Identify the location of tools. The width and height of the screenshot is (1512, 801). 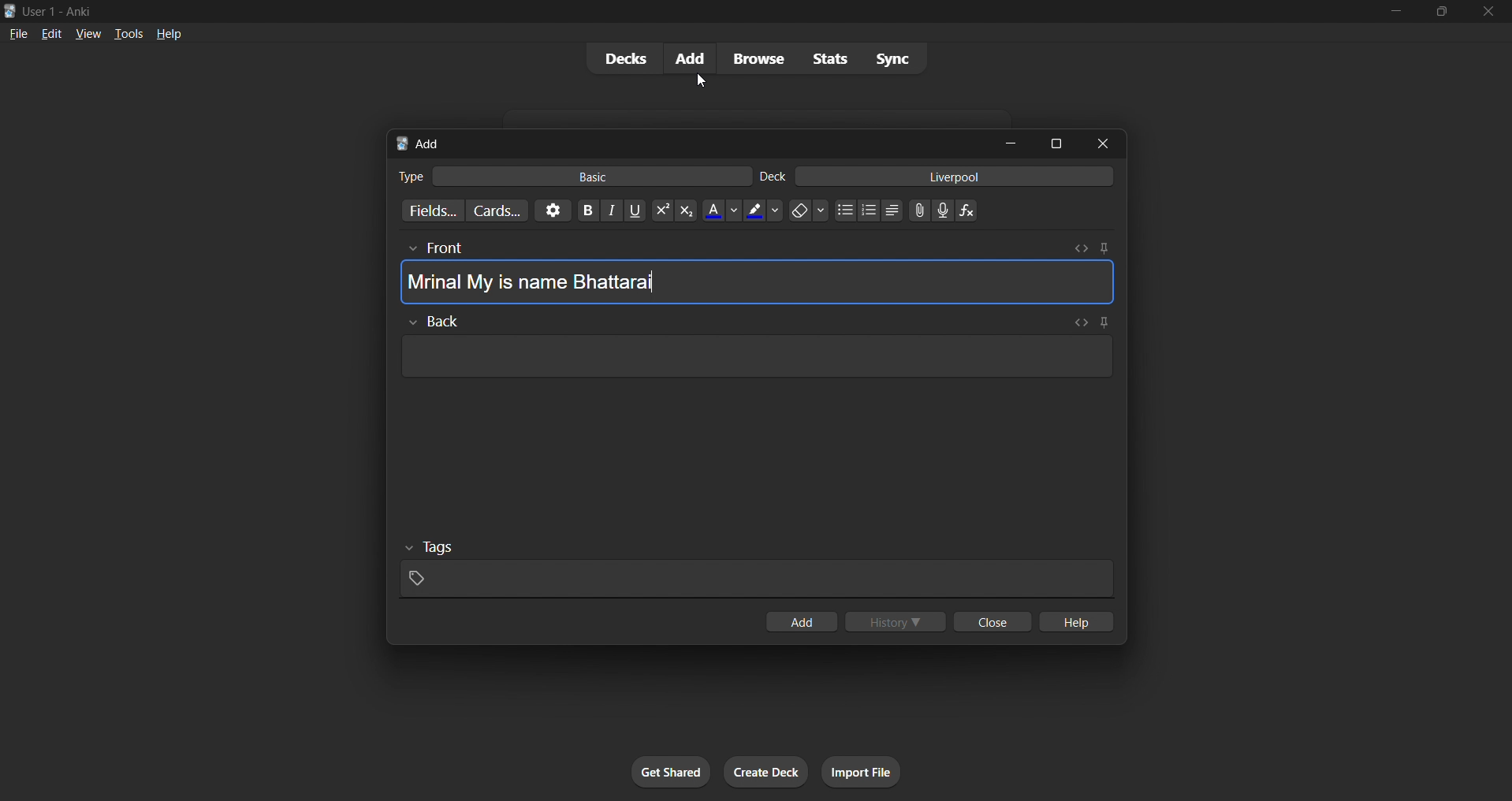
(128, 32).